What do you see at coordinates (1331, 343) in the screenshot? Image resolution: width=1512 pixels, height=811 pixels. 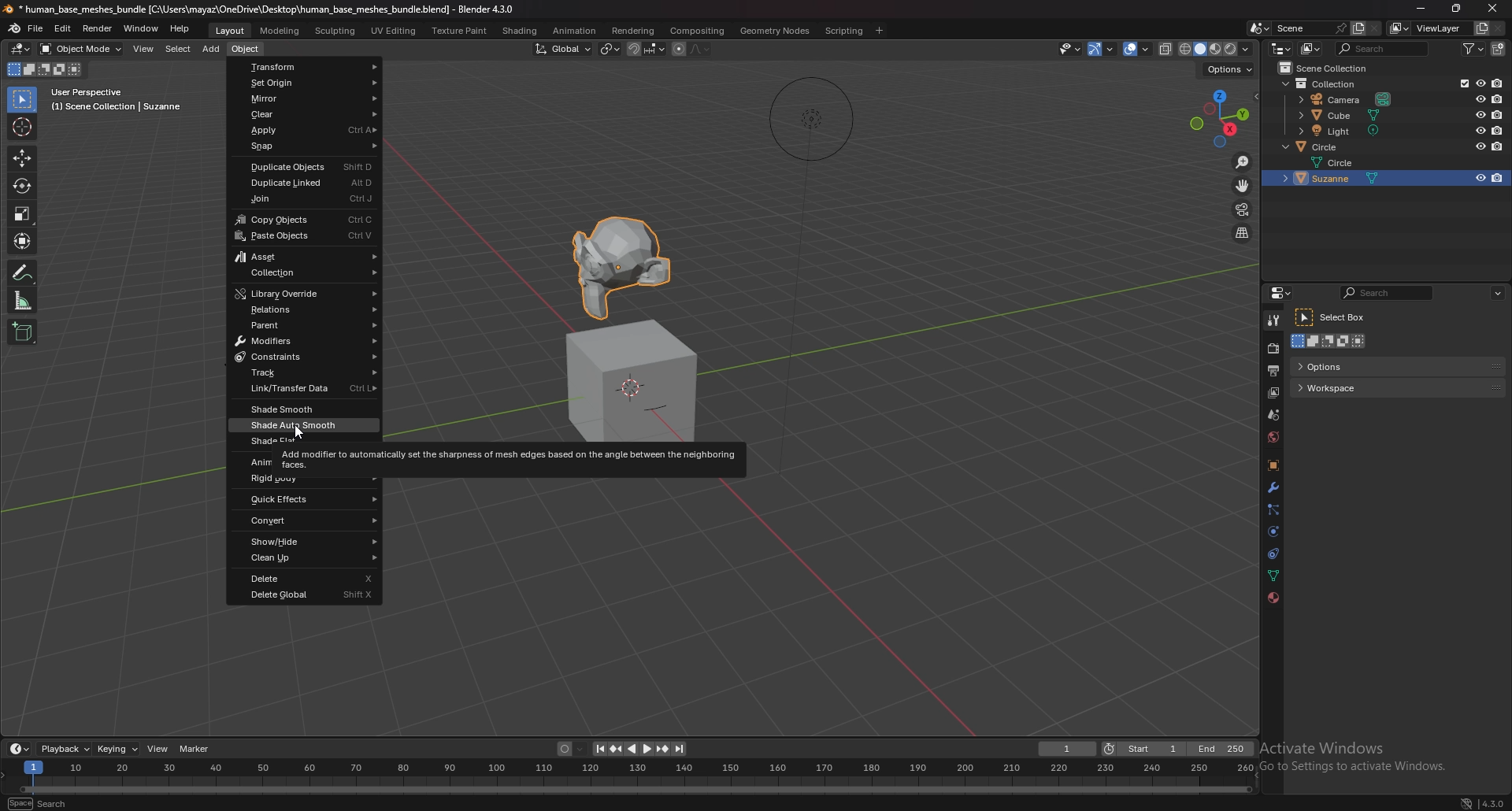 I see `mode` at bounding box center [1331, 343].